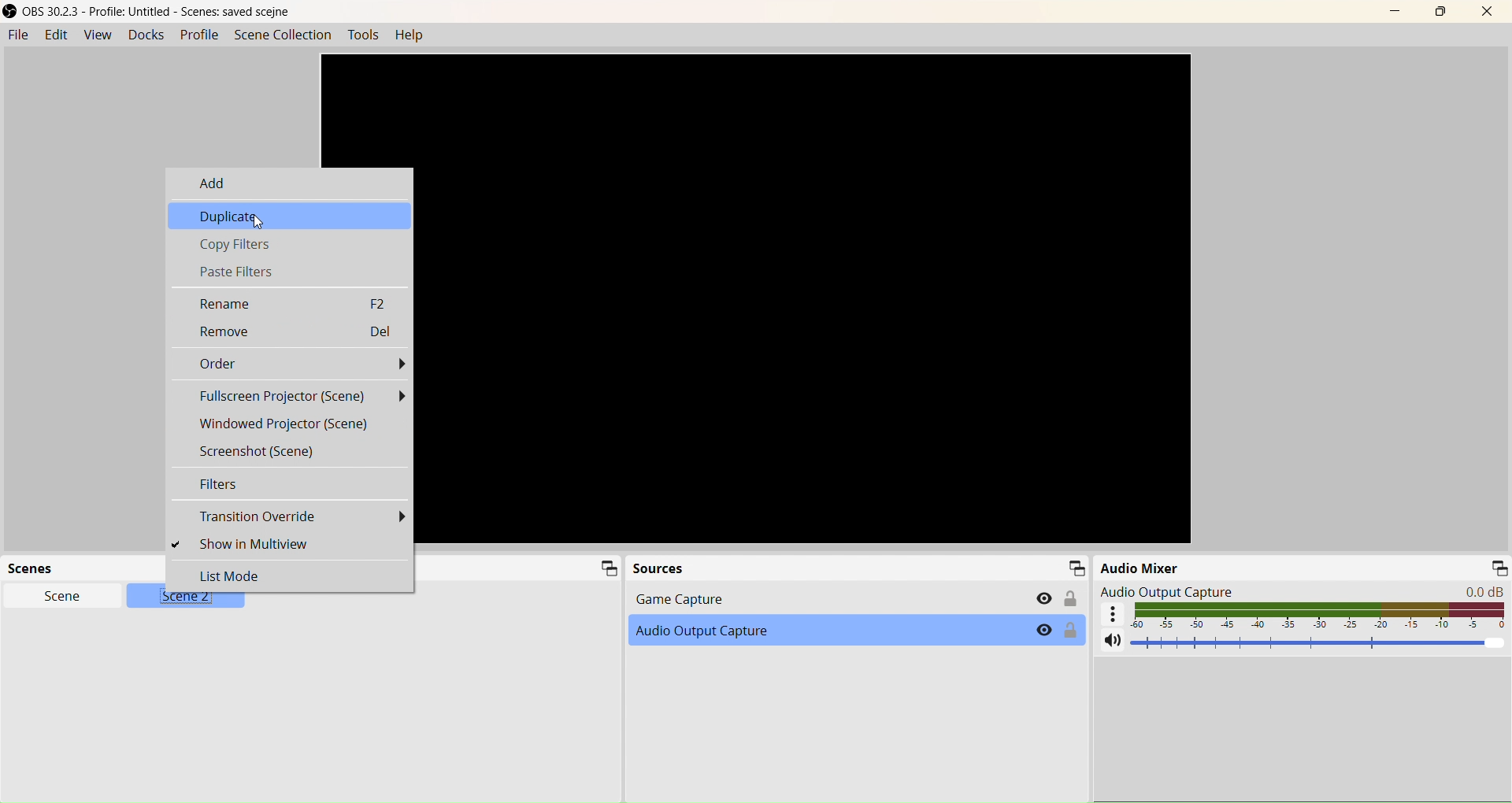 The image size is (1512, 803). Describe the element at coordinates (287, 516) in the screenshot. I see `Transition Override ` at that location.